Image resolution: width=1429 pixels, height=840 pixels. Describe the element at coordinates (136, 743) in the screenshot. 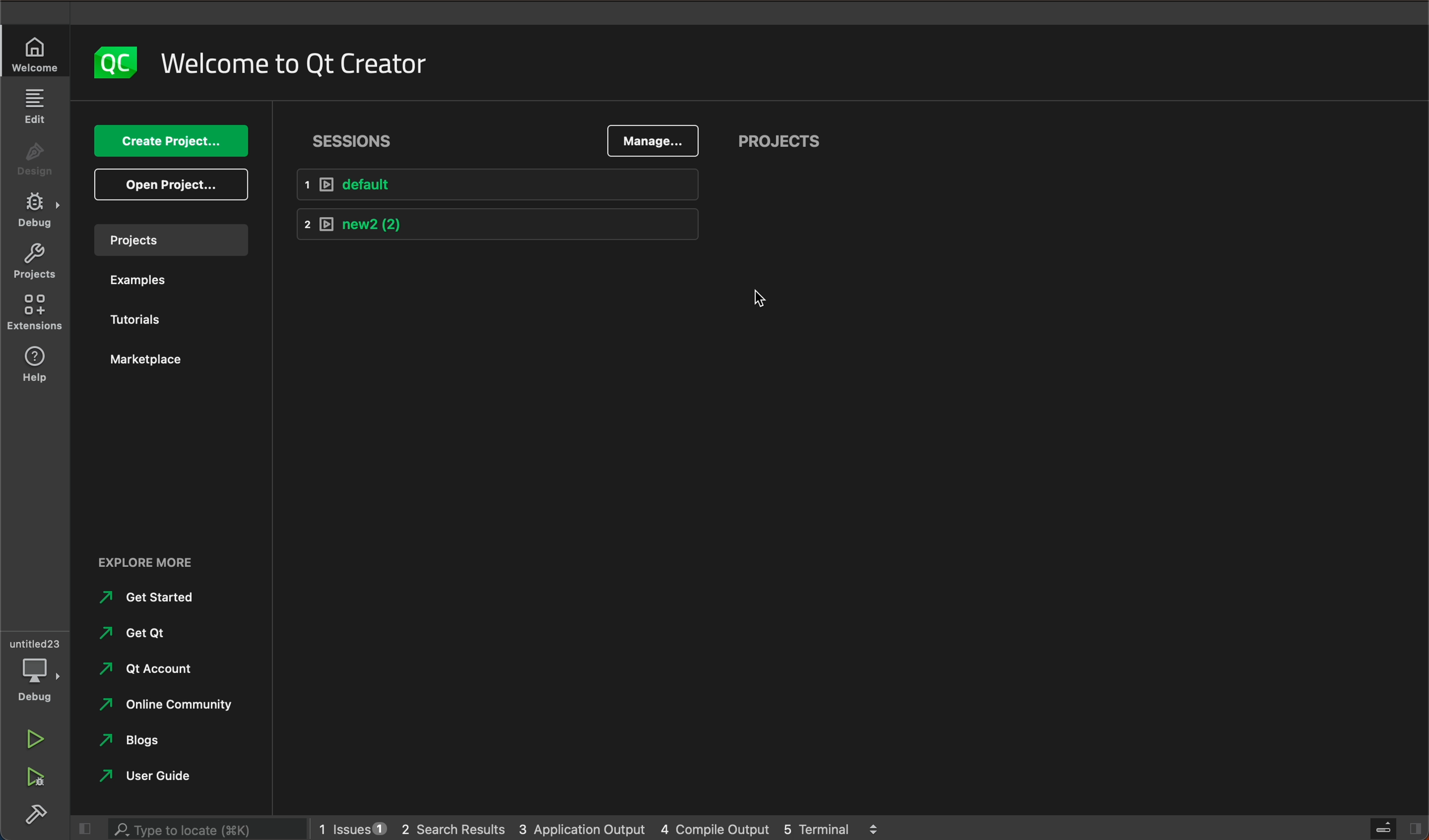

I see `Blogs` at that location.